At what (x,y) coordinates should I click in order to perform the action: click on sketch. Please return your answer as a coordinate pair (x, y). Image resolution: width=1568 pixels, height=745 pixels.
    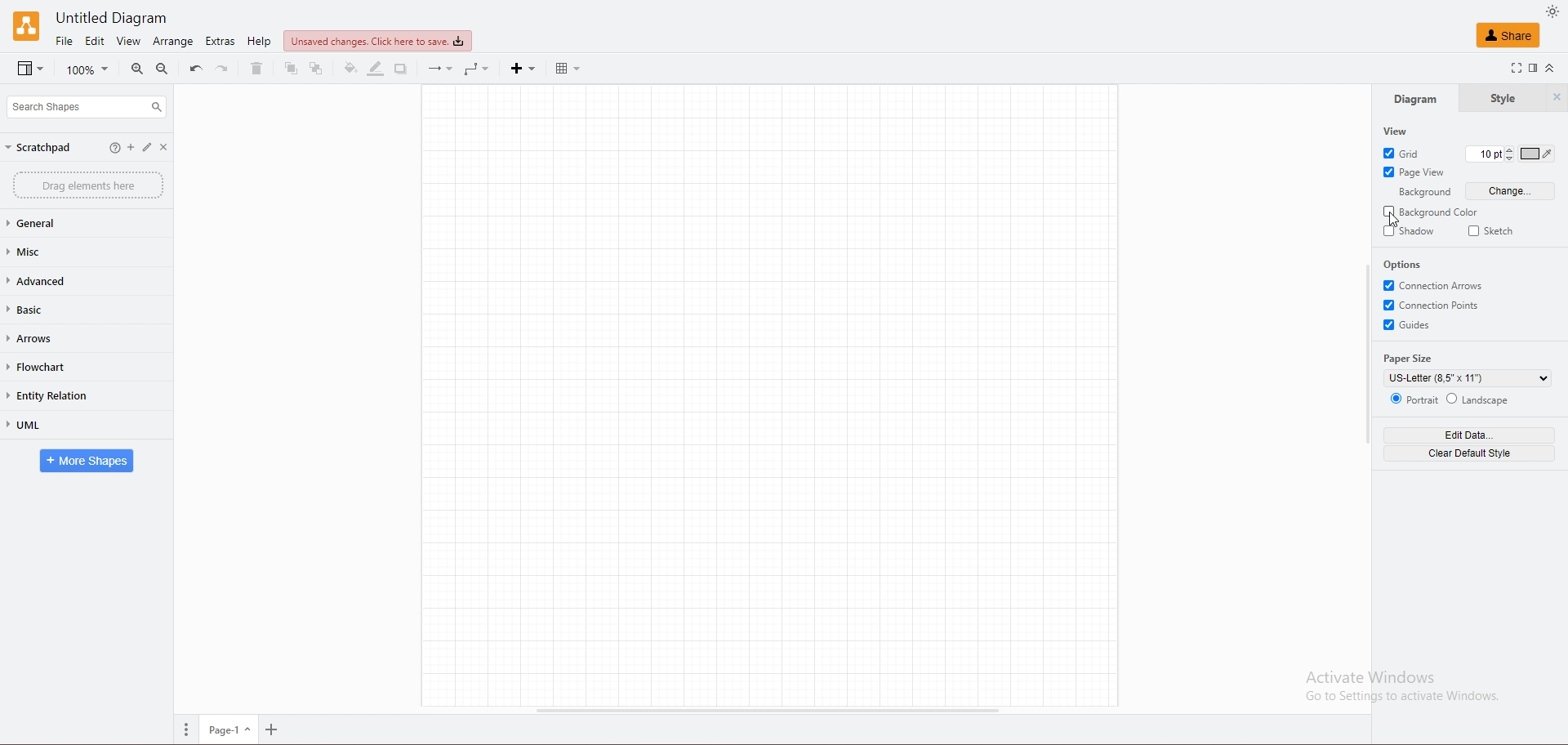
    Looking at the image, I should click on (1495, 230).